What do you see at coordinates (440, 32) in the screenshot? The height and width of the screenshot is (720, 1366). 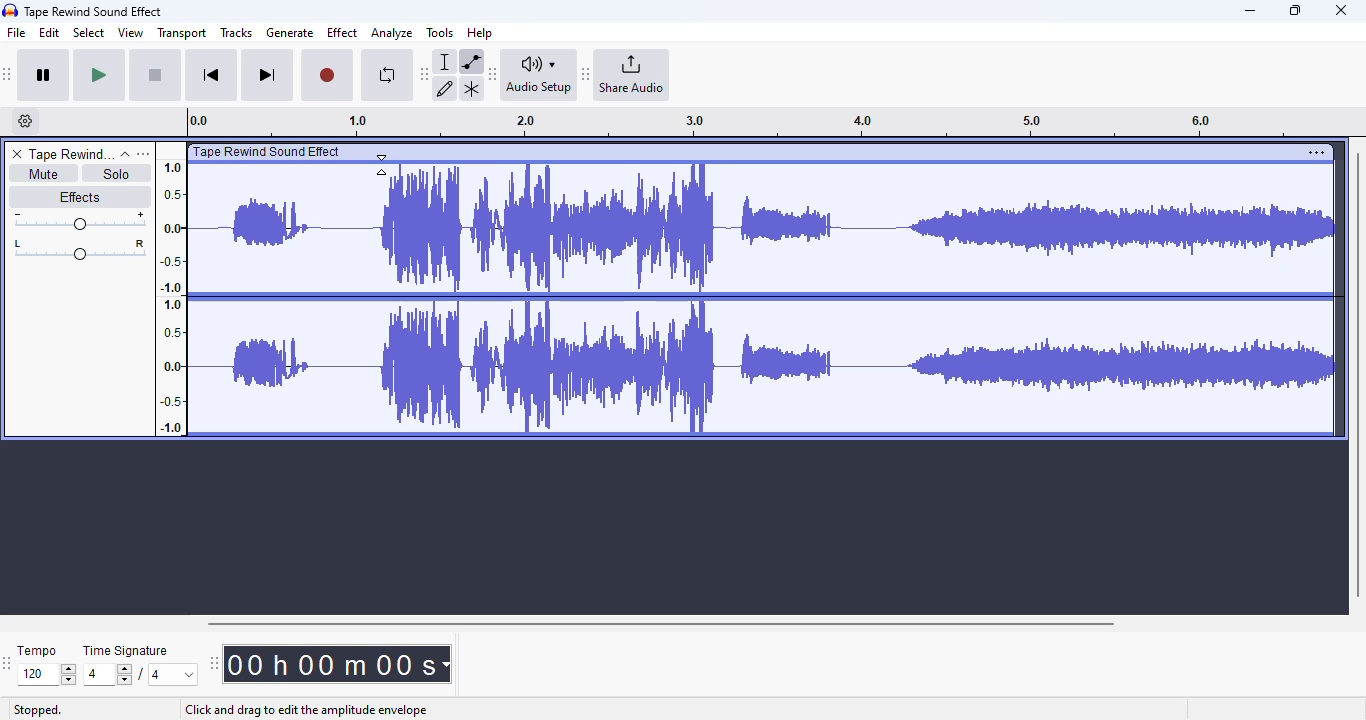 I see `tools` at bounding box center [440, 32].